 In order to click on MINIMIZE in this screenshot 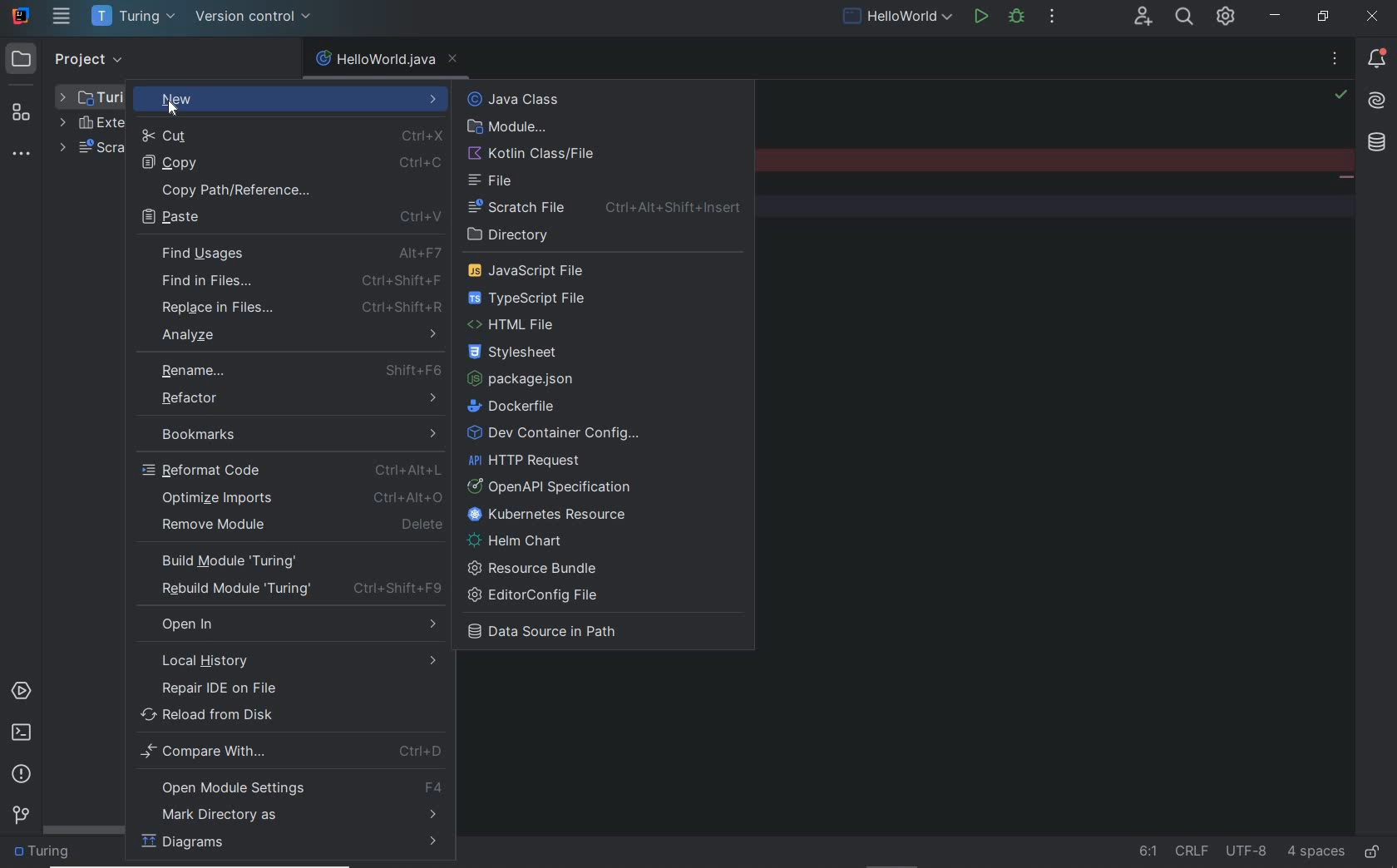, I will do `click(1277, 16)`.